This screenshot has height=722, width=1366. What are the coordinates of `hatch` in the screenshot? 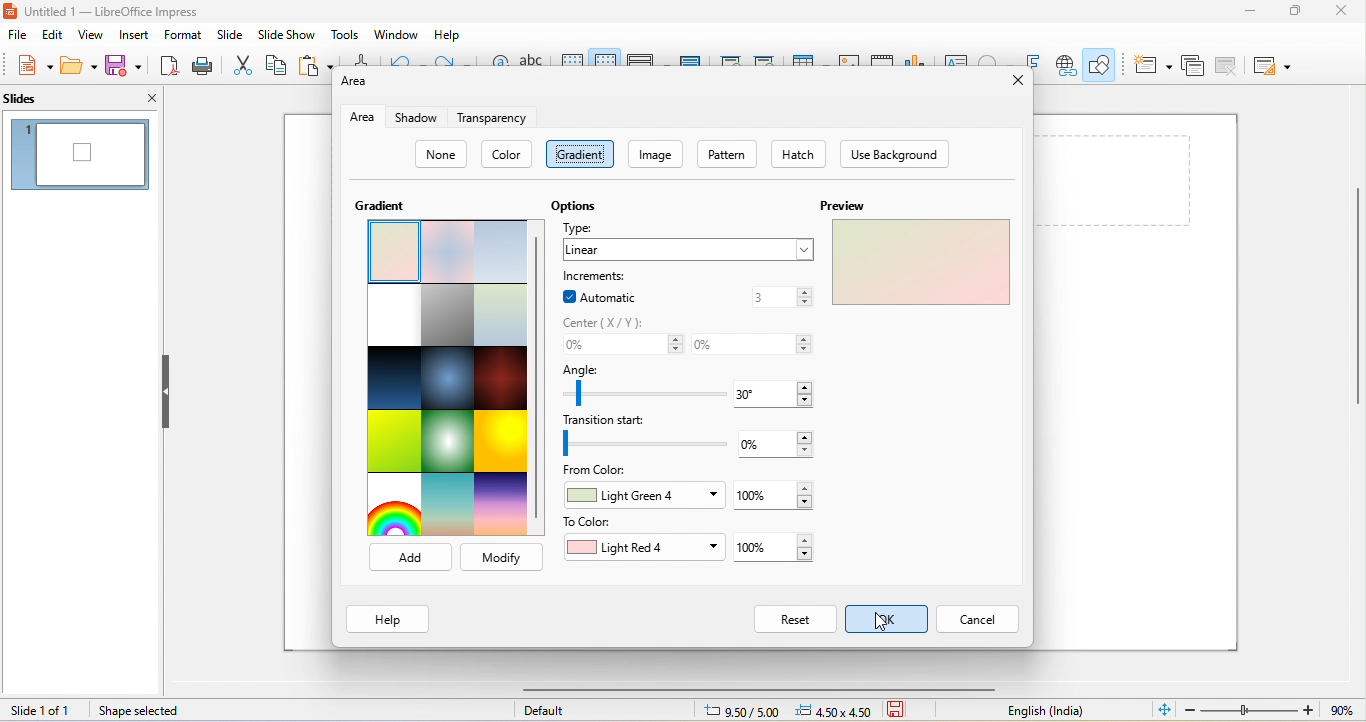 It's located at (798, 154).